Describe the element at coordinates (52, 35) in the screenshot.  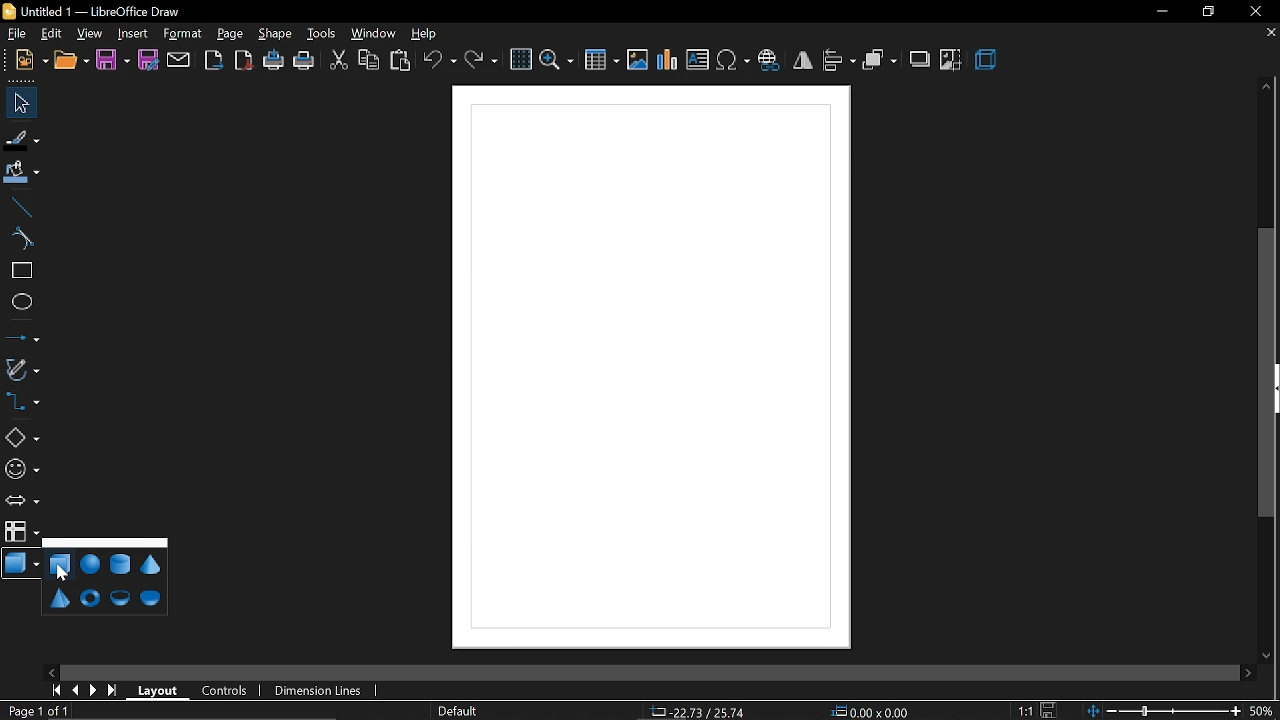
I see `edit` at that location.